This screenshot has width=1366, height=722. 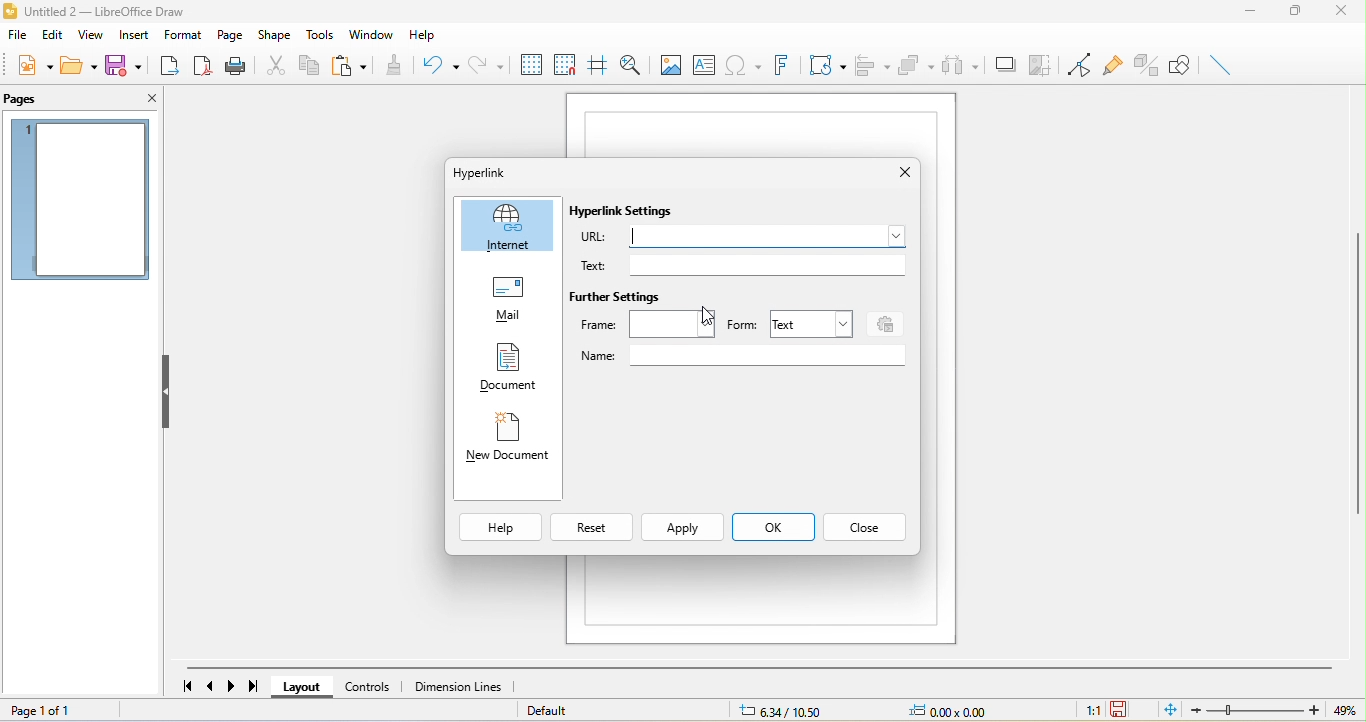 I want to click on 49%, so click(x=1347, y=710).